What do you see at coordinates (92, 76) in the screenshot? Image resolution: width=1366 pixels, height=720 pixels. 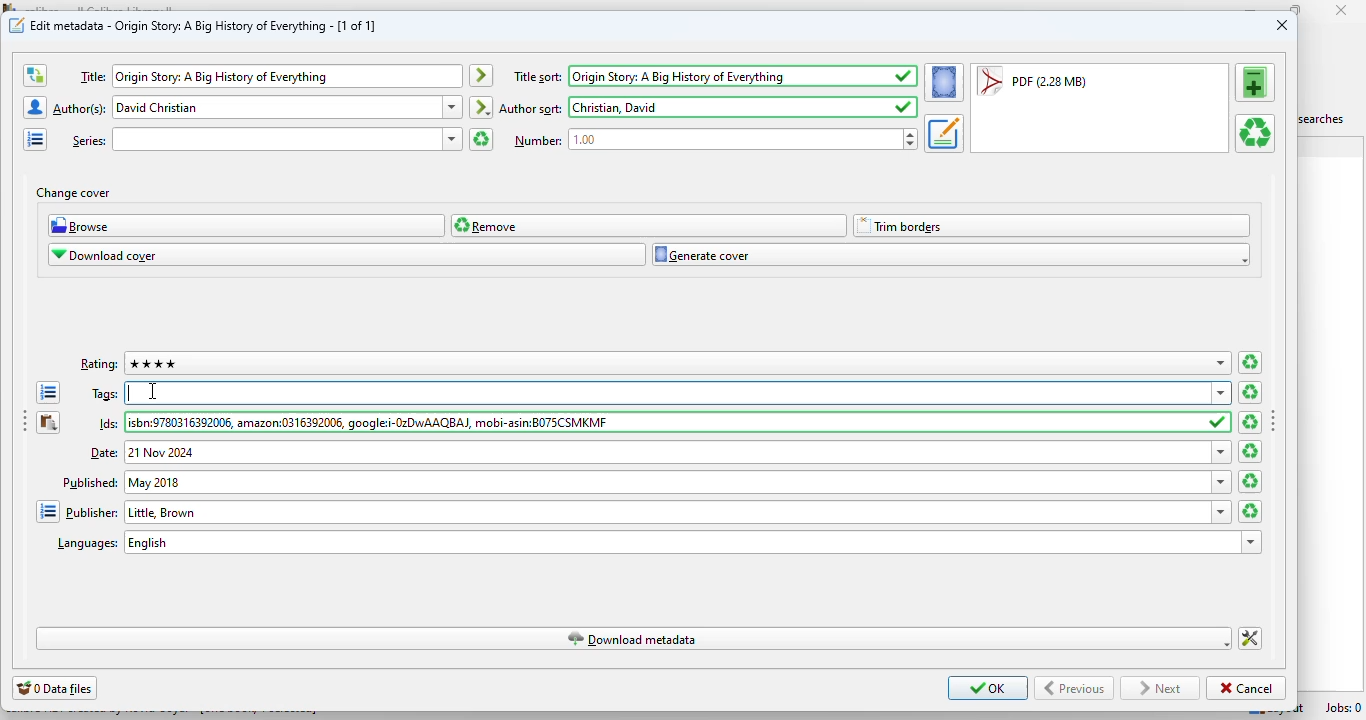 I see `text` at bounding box center [92, 76].